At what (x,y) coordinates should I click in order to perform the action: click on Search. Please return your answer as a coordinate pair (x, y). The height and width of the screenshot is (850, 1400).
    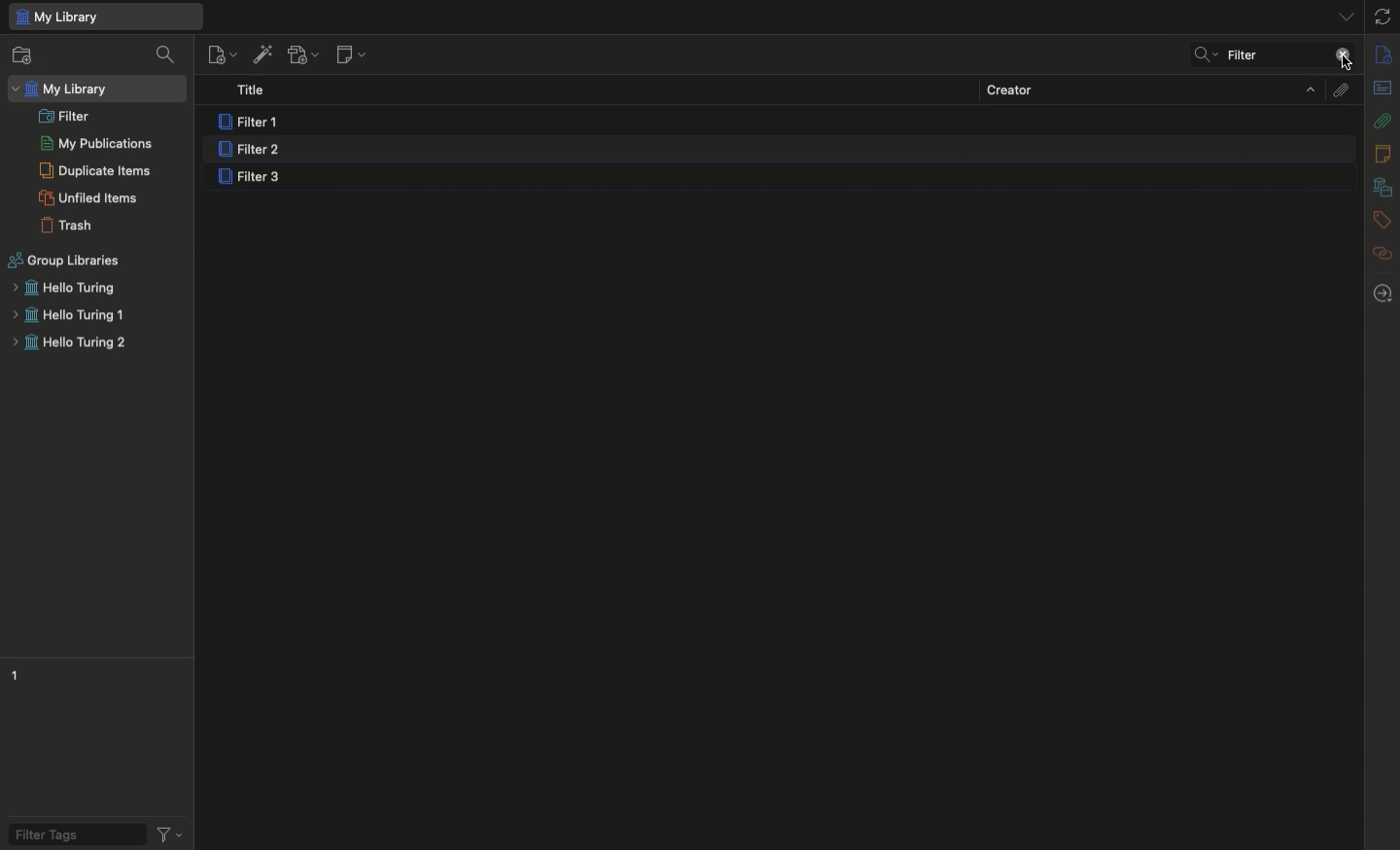
    Looking at the image, I should click on (1202, 56).